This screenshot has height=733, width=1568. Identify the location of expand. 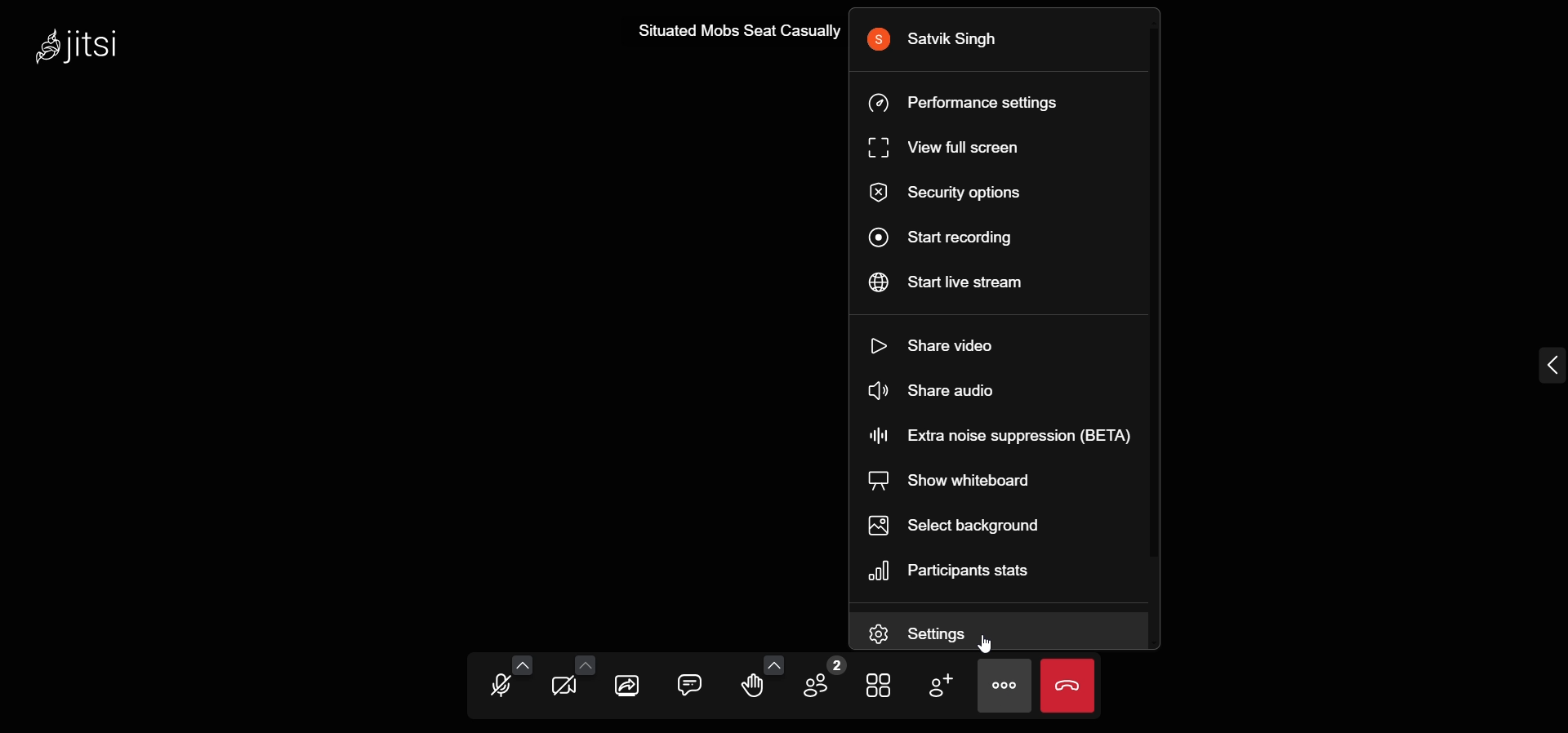
(1547, 365).